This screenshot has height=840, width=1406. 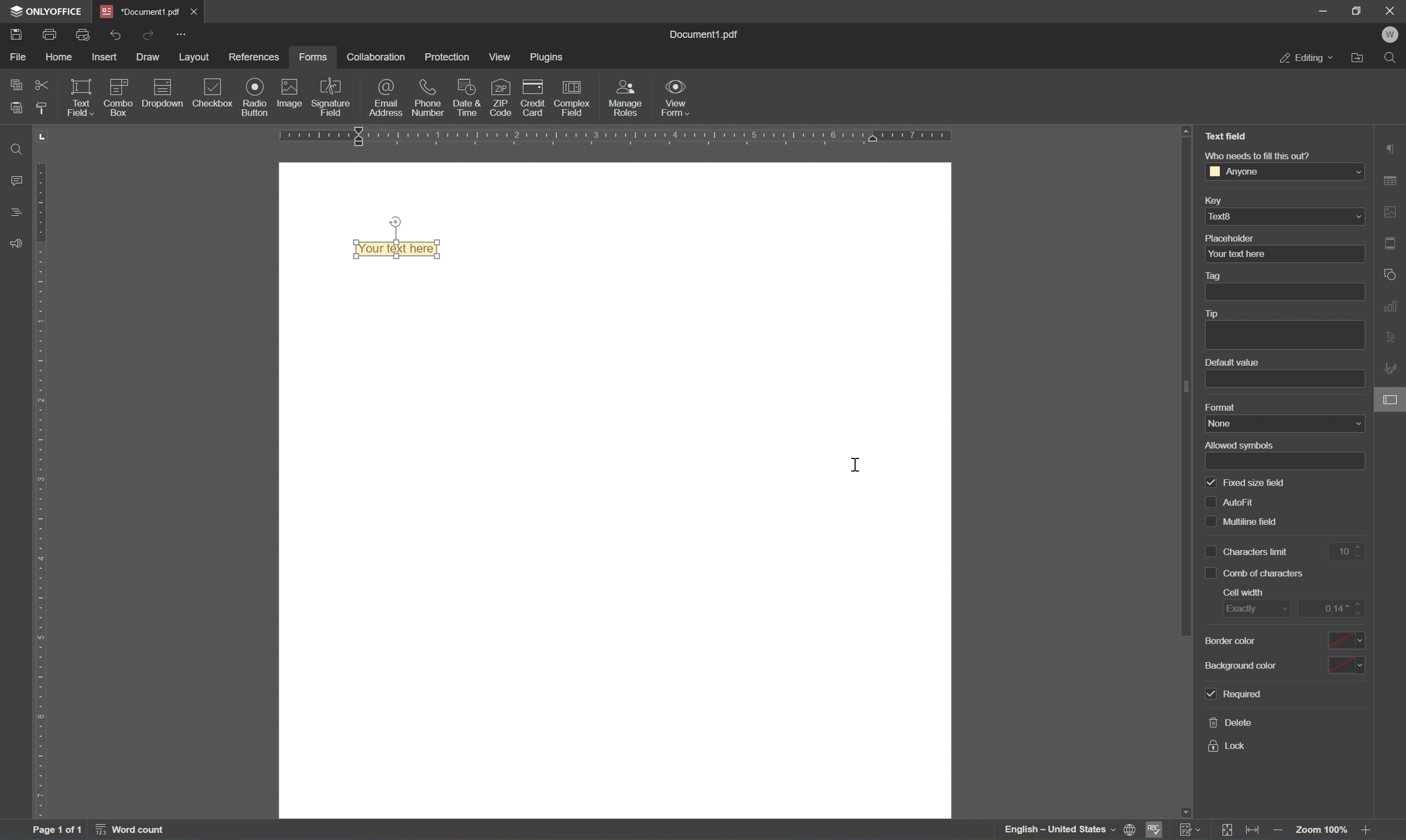 I want to click on zoom 100%, so click(x=1322, y=831).